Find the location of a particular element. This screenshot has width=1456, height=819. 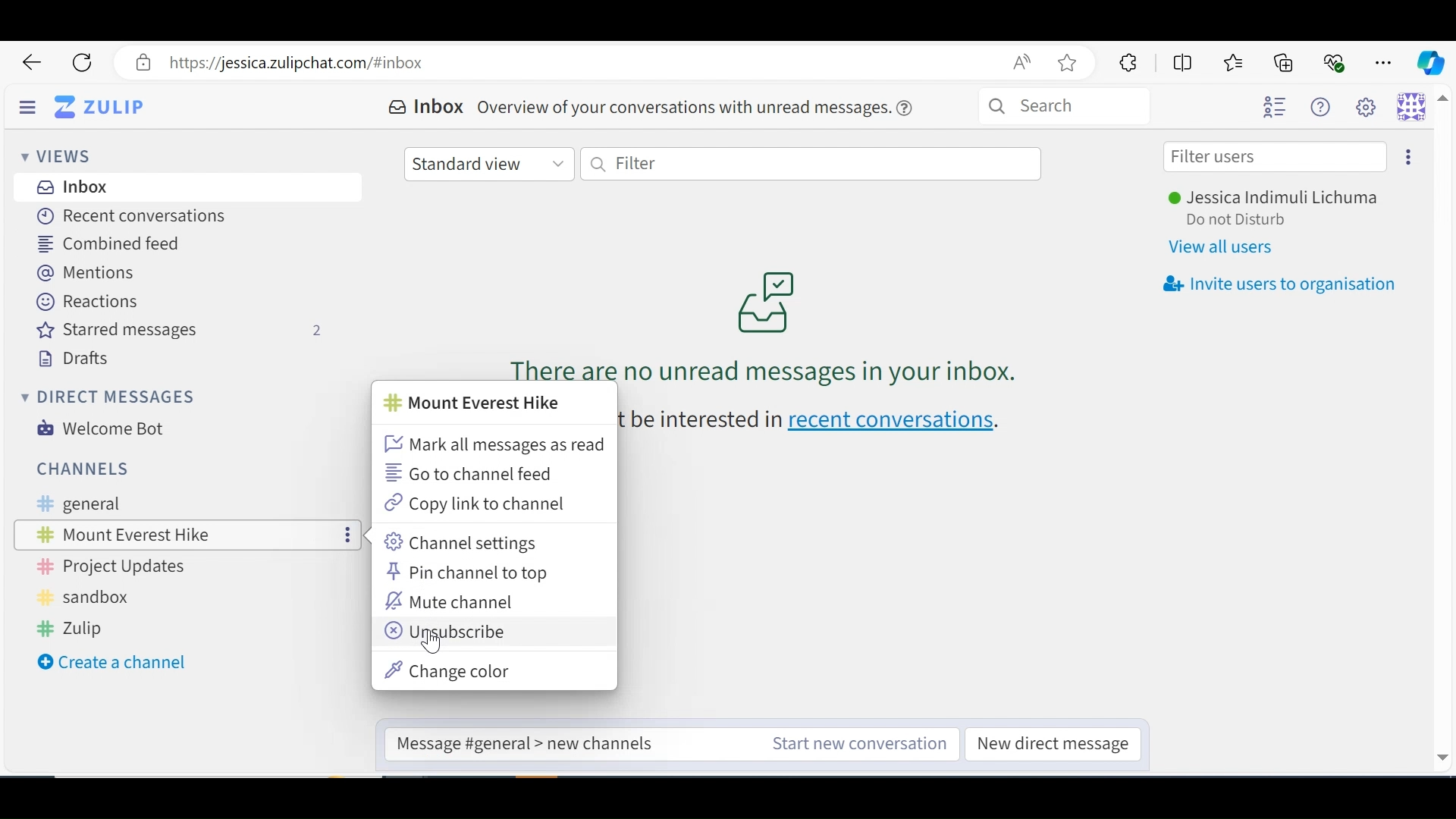

Go to channel feed is located at coordinates (470, 475).